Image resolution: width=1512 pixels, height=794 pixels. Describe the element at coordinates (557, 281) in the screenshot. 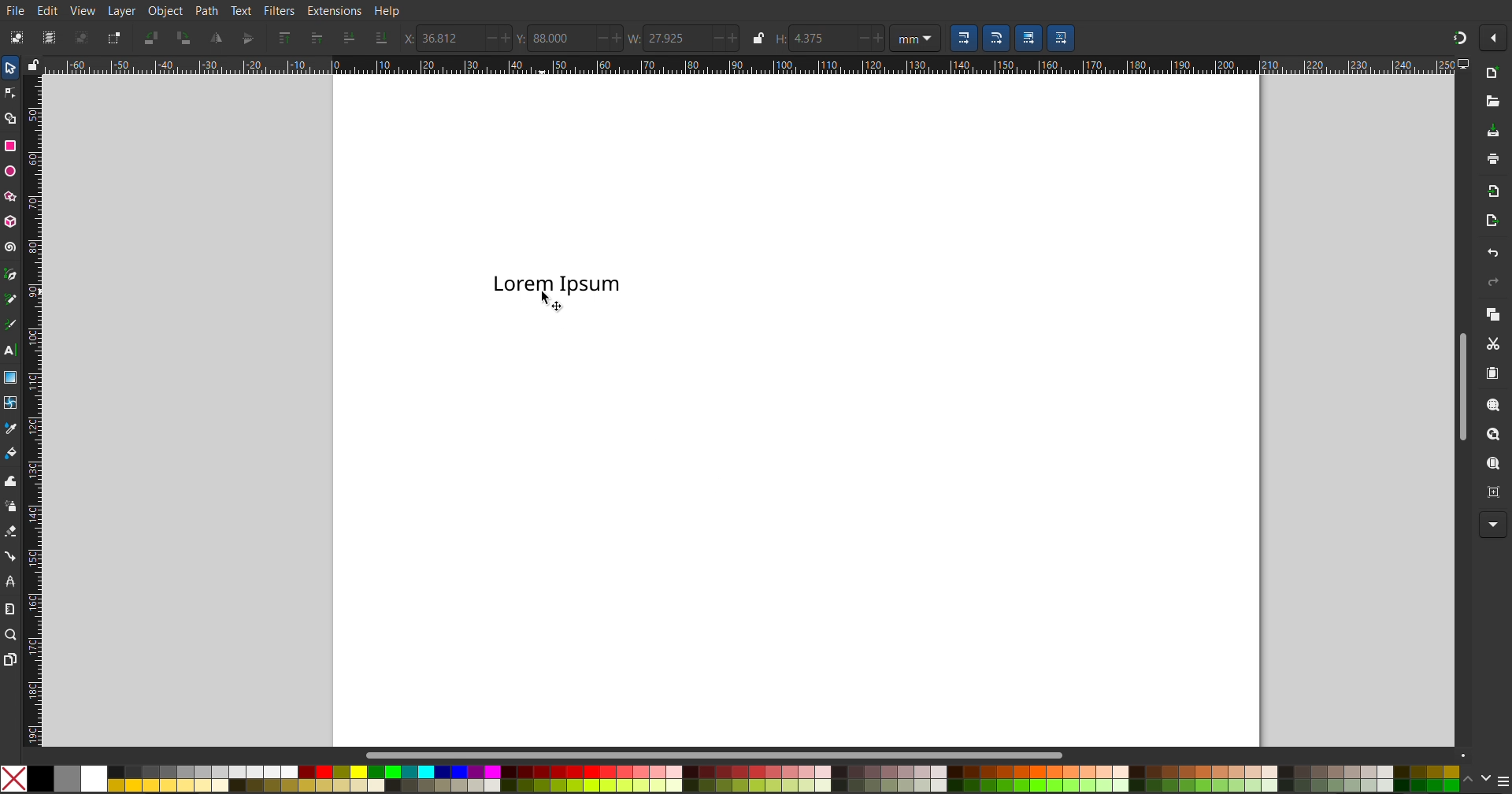

I see `Lorem Ipsum` at that location.